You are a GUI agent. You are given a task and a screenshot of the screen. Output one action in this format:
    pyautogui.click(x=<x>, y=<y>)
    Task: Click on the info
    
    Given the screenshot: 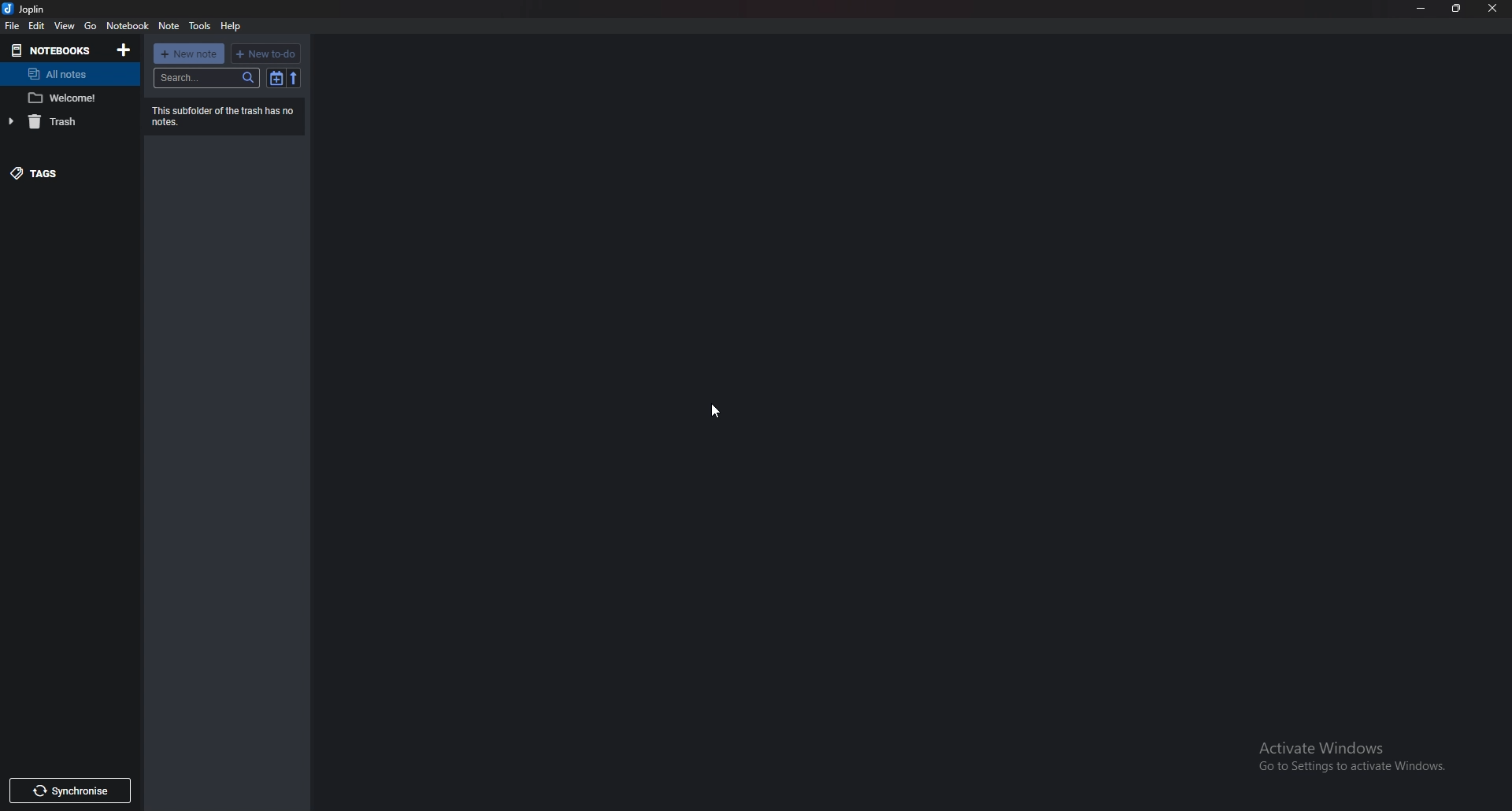 What is the action you would take?
    pyautogui.click(x=225, y=115)
    